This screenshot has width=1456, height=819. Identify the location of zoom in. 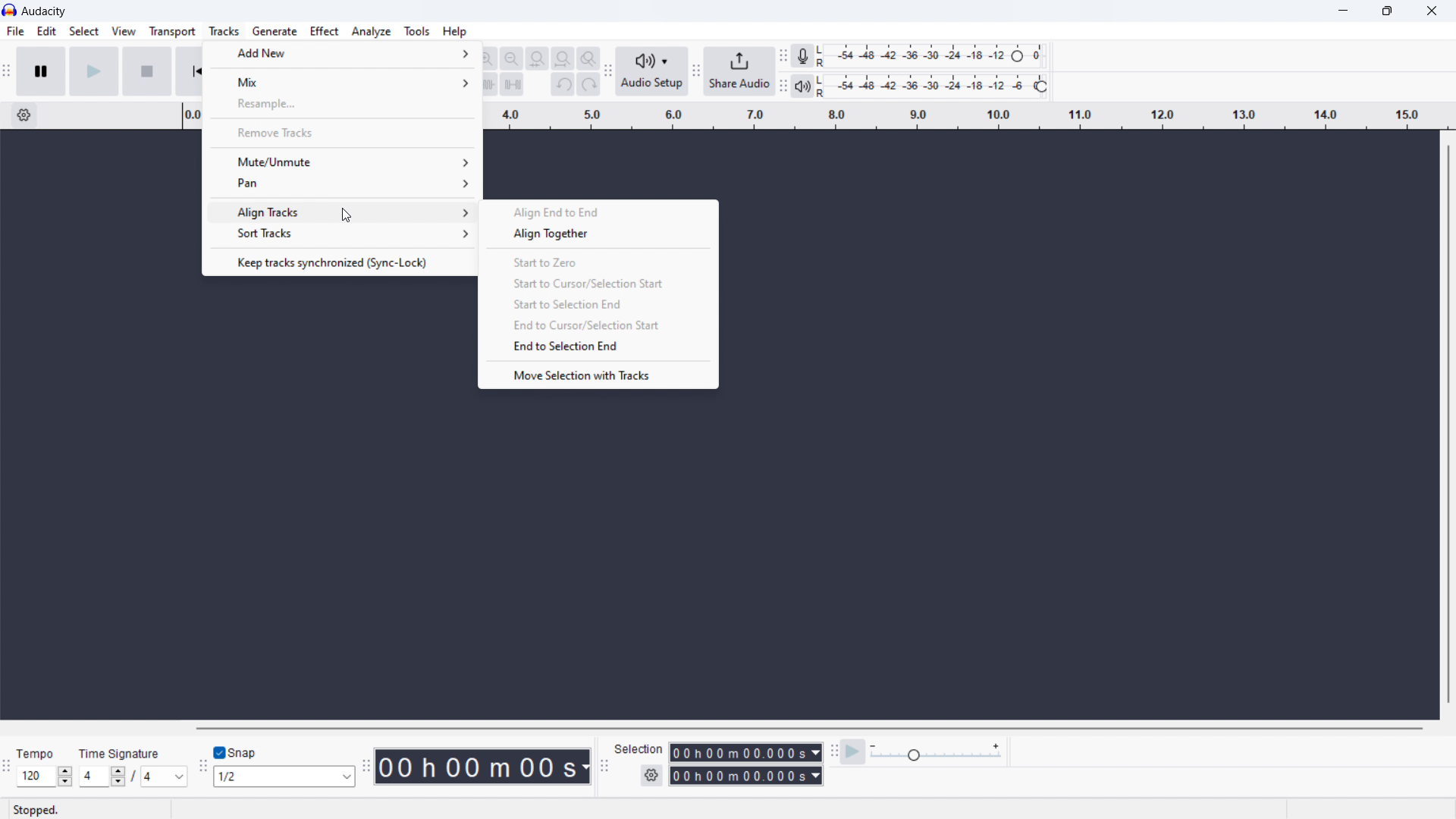
(486, 58).